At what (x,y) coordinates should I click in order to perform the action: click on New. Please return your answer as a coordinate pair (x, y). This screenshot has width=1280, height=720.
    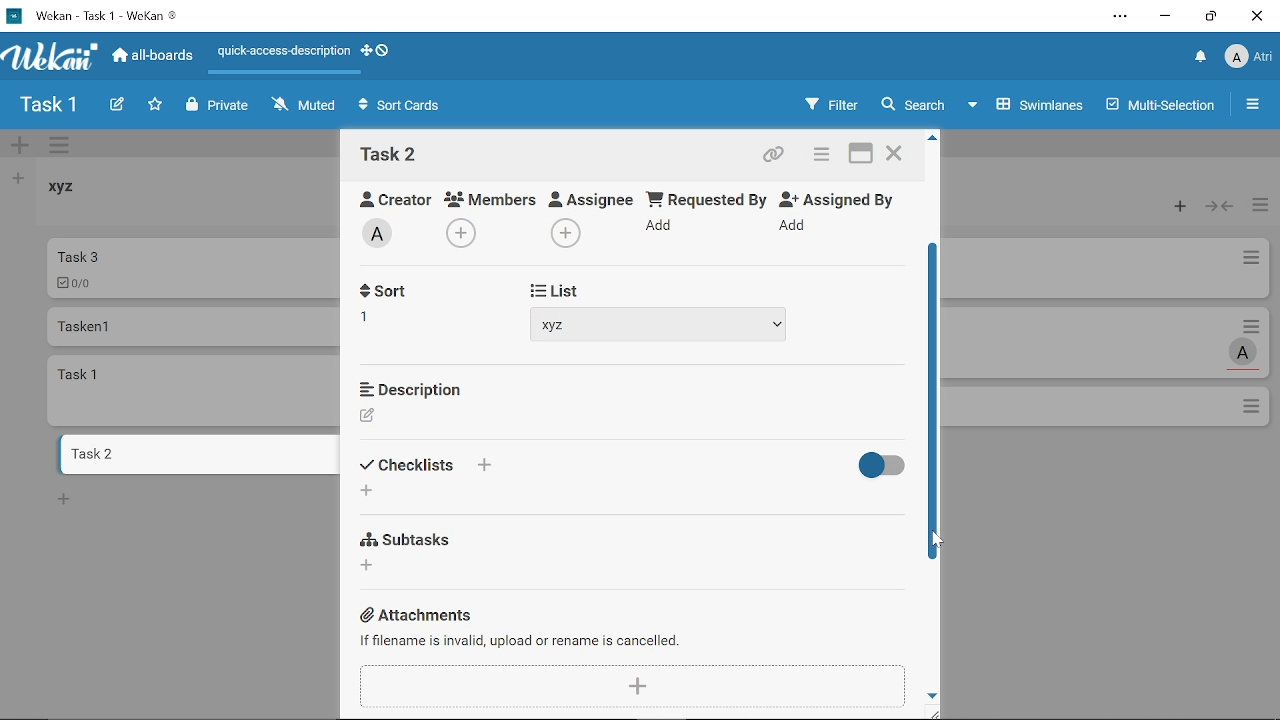
    Looking at the image, I should click on (64, 498).